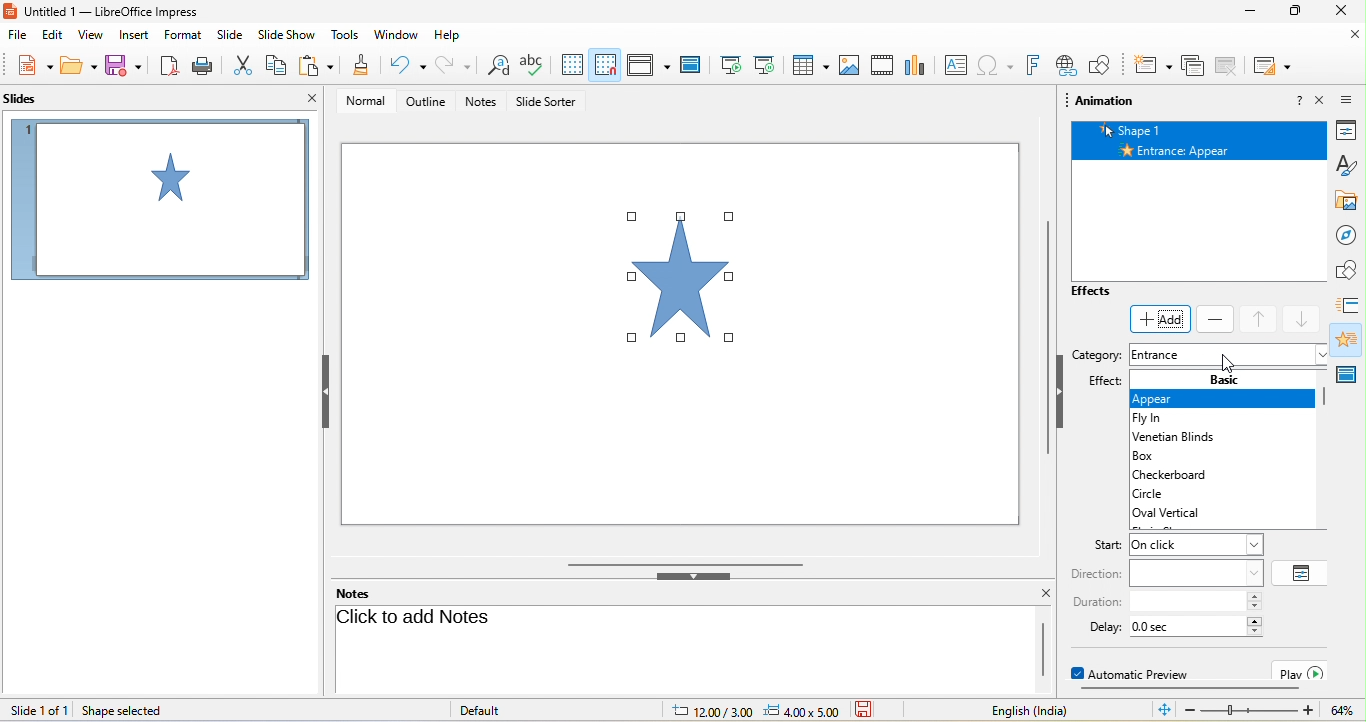 This screenshot has height=722, width=1366. What do you see at coordinates (1299, 99) in the screenshot?
I see `help` at bounding box center [1299, 99].